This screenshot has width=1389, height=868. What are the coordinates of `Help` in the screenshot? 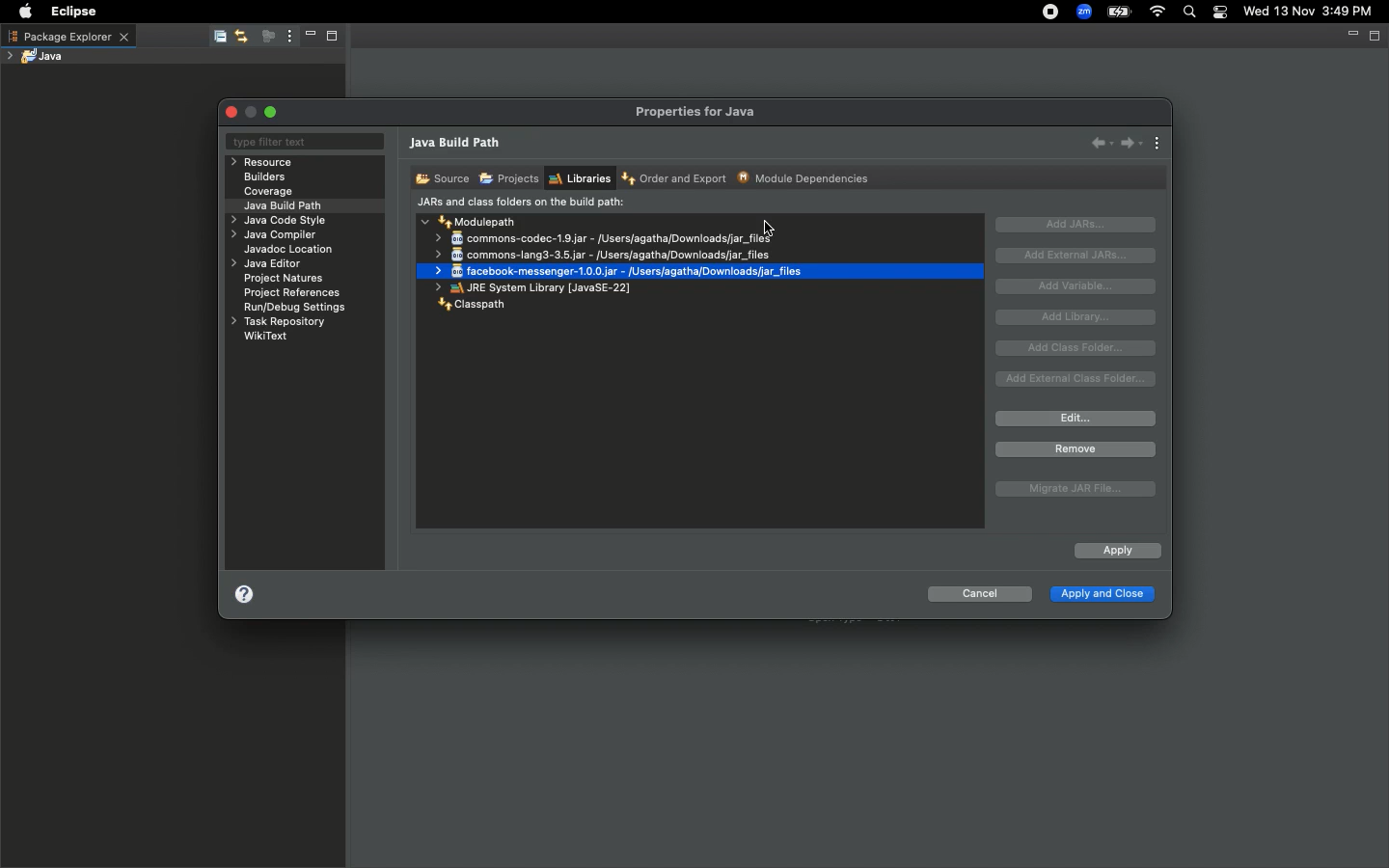 It's located at (244, 598).